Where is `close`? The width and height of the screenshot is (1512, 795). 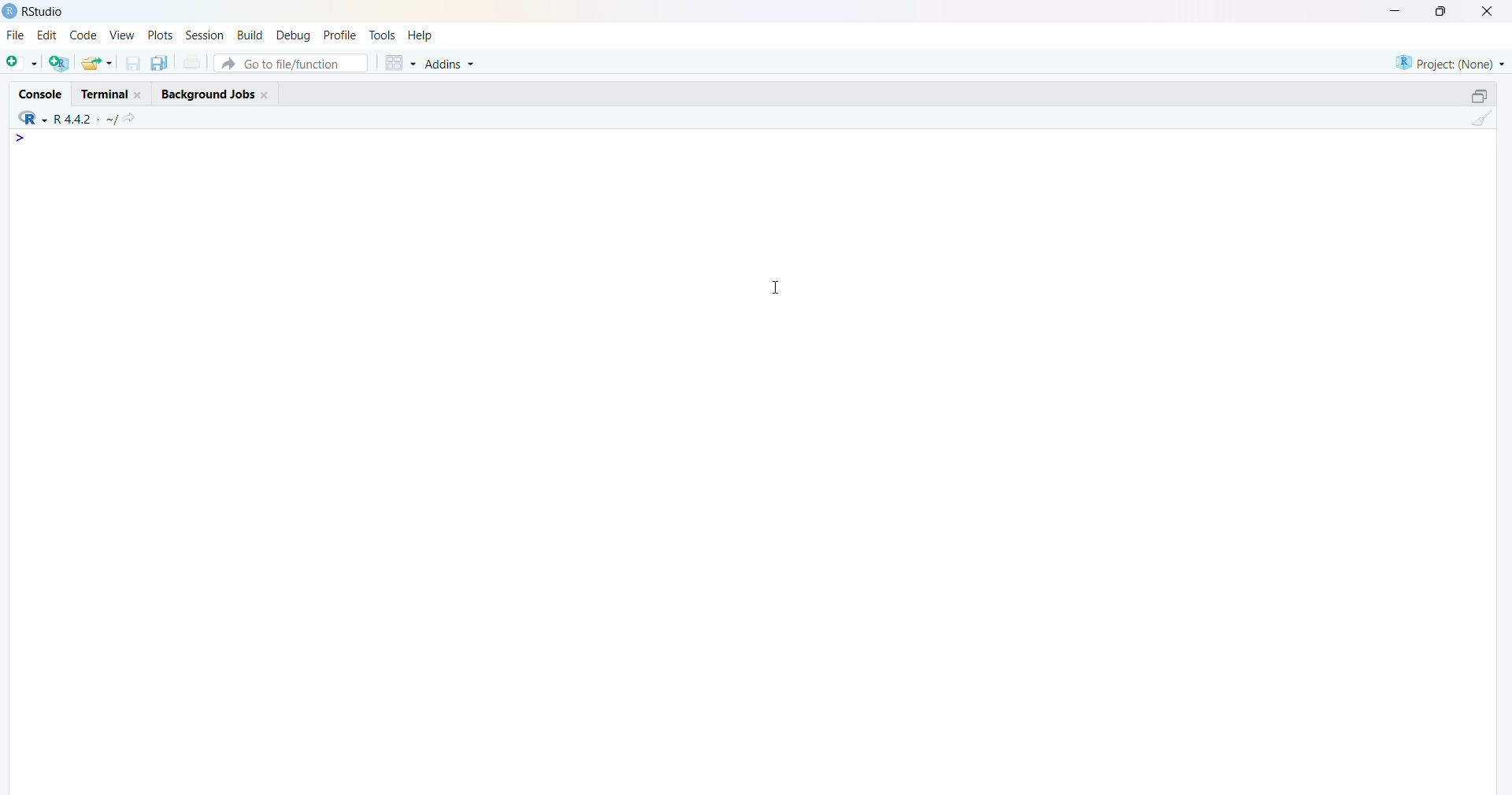
close is located at coordinates (267, 95).